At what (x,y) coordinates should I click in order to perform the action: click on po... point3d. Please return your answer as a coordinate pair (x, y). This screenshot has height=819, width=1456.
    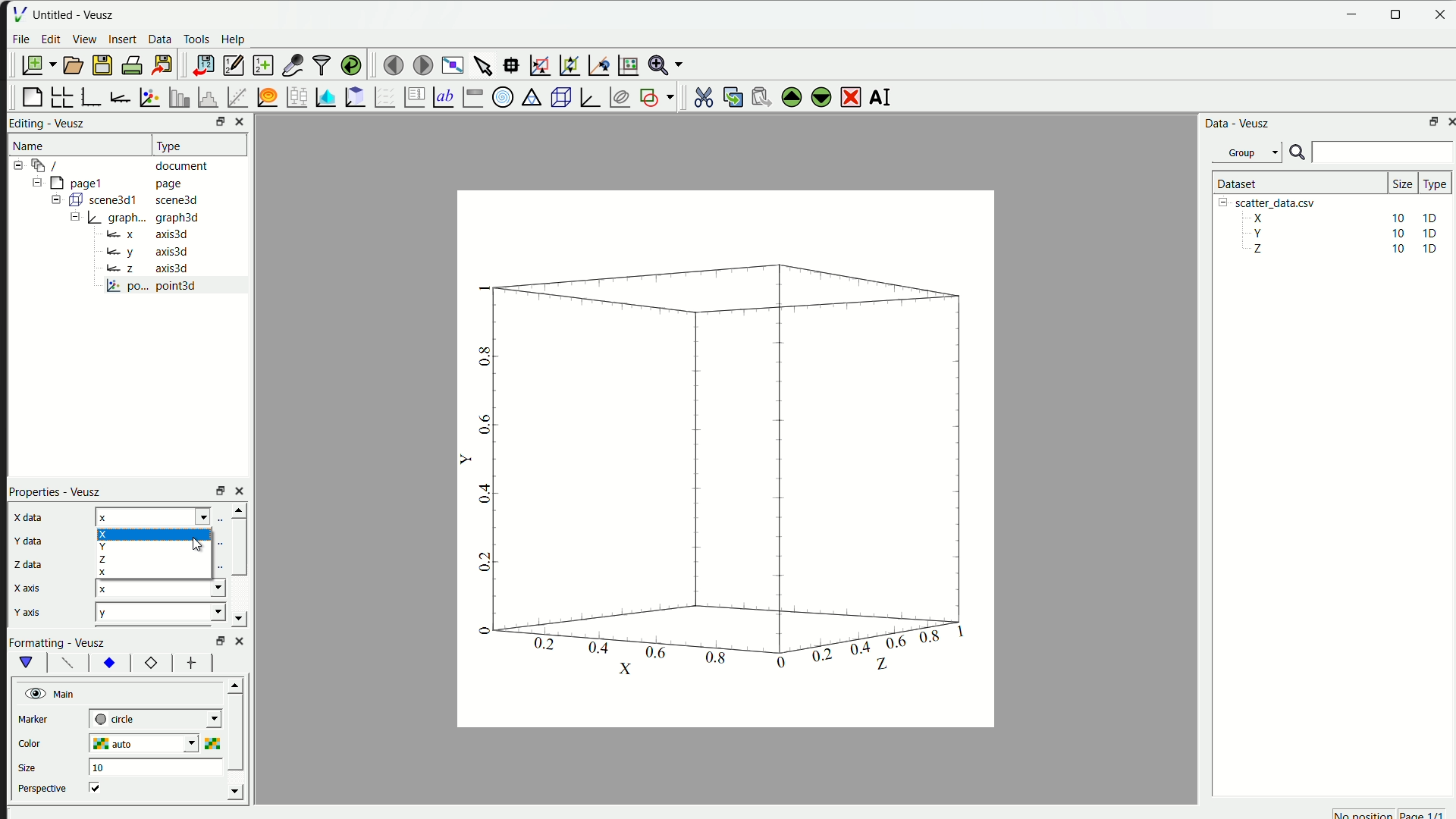
    Looking at the image, I should click on (154, 287).